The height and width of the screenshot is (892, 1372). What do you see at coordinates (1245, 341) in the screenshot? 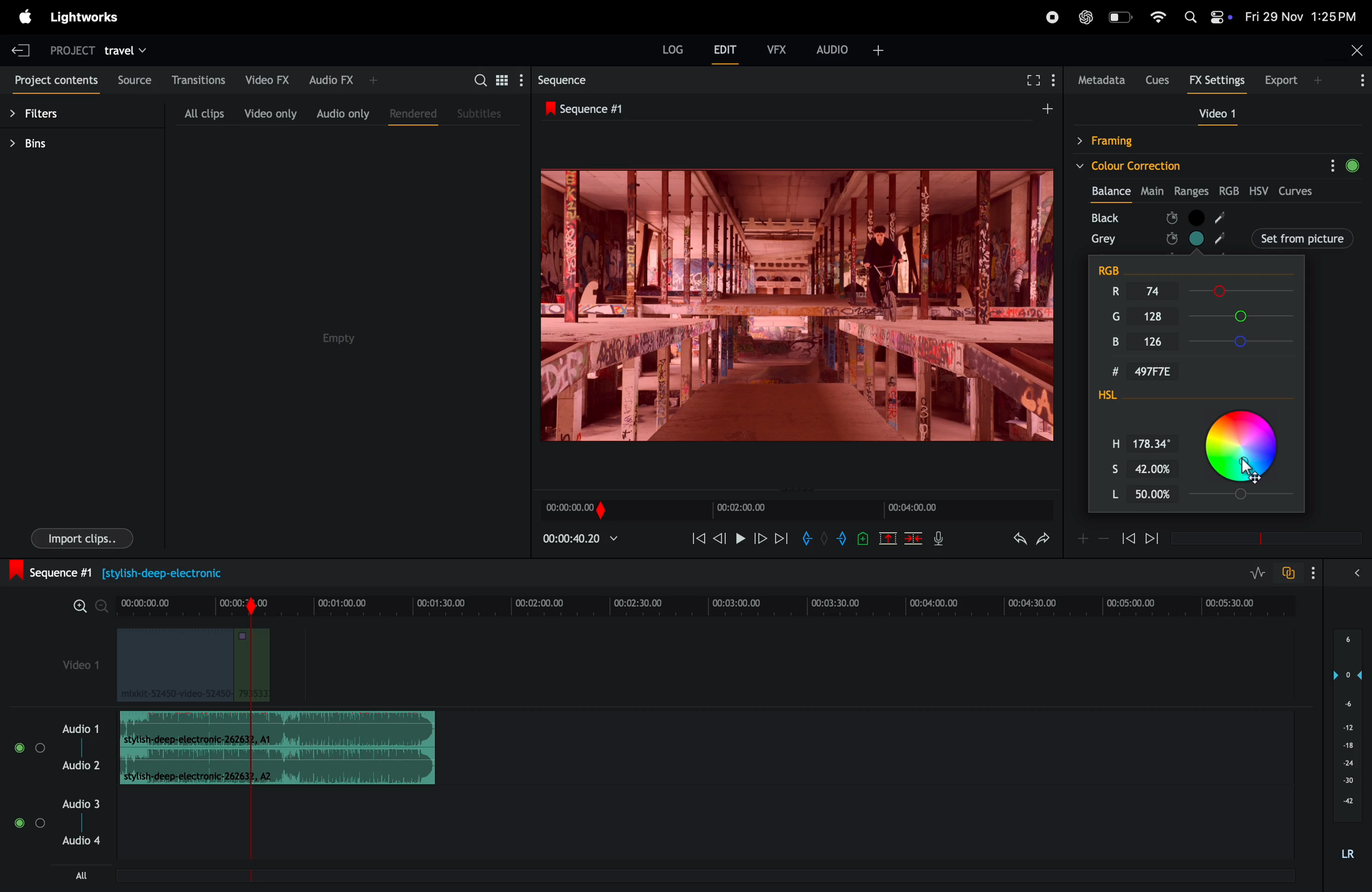
I see `B Slider` at bounding box center [1245, 341].